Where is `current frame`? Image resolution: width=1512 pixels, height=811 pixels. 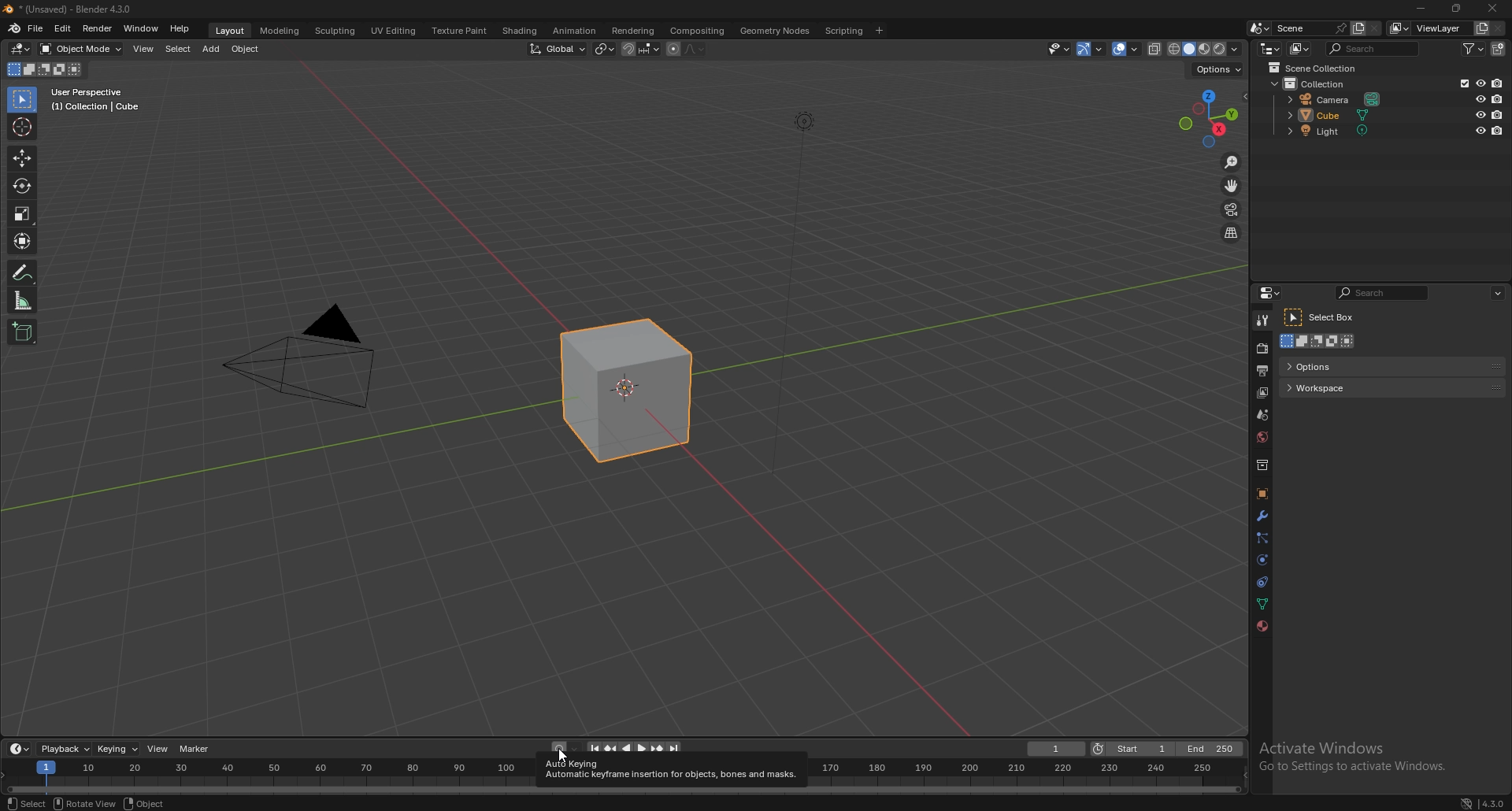 current frame is located at coordinates (1056, 749).